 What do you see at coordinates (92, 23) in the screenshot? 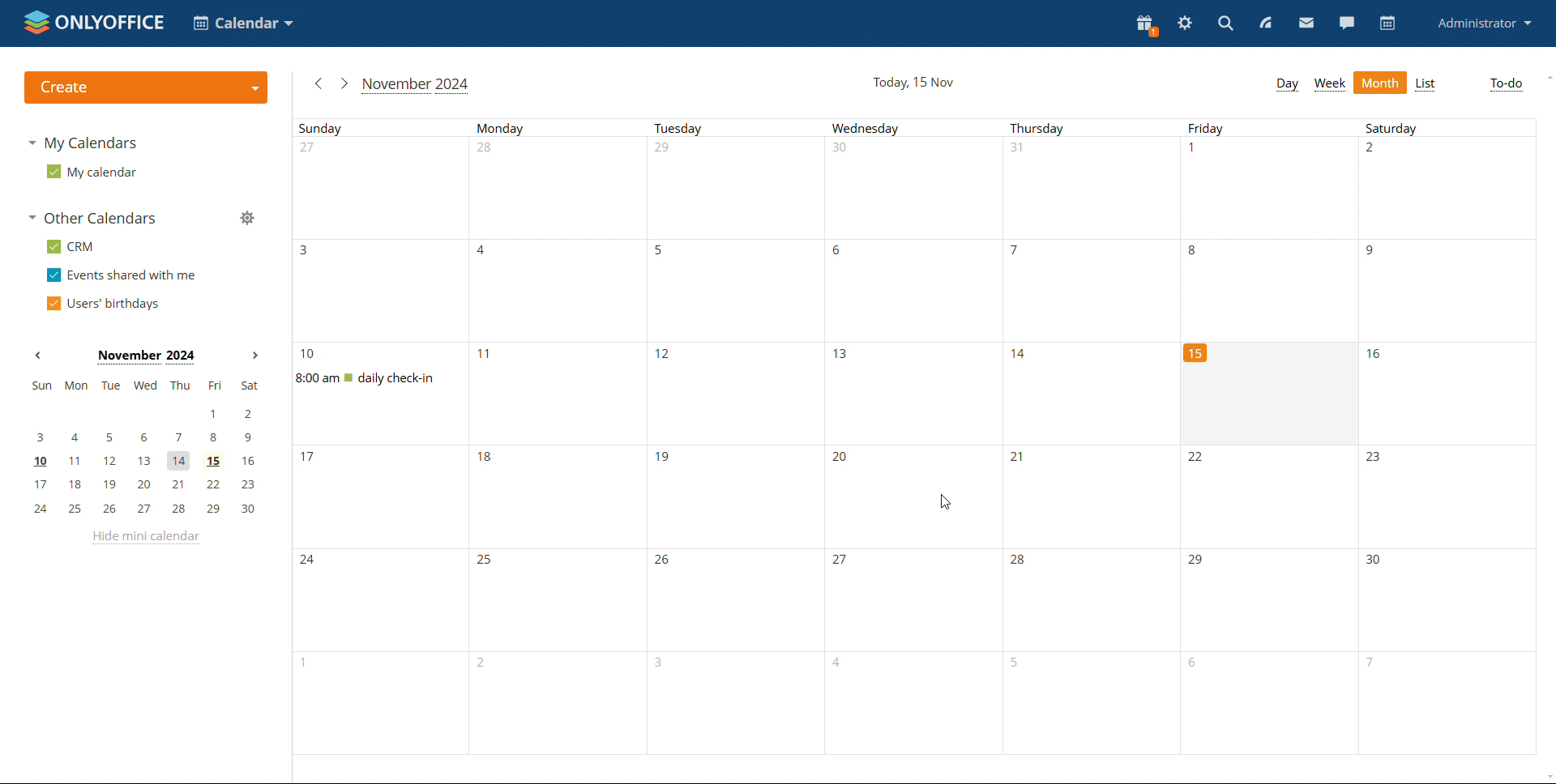
I see `logo` at bounding box center [92, 23].